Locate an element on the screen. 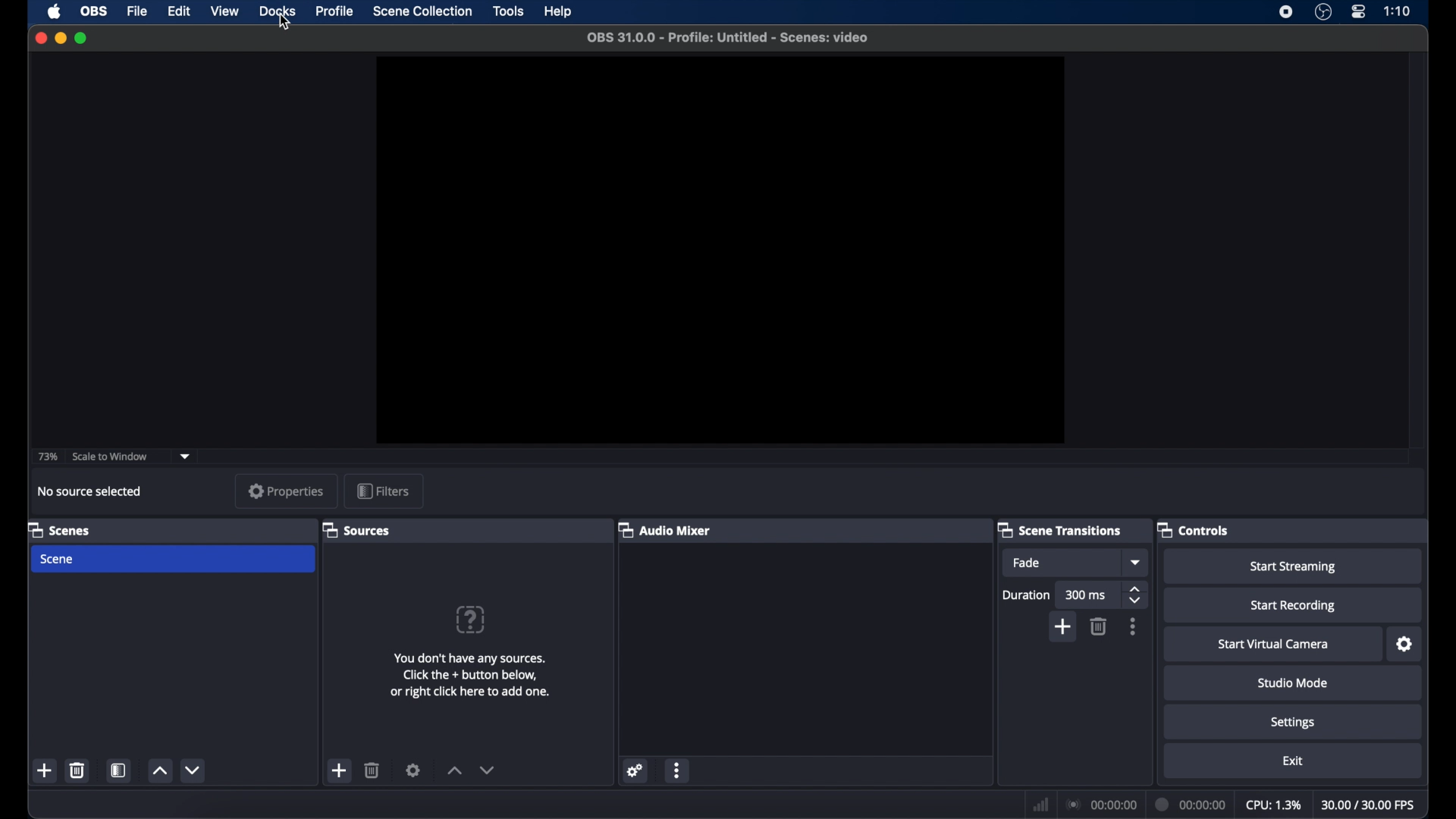 This screenshot has height=819, width=1456. cpu is located at coordinates (1272, 803).